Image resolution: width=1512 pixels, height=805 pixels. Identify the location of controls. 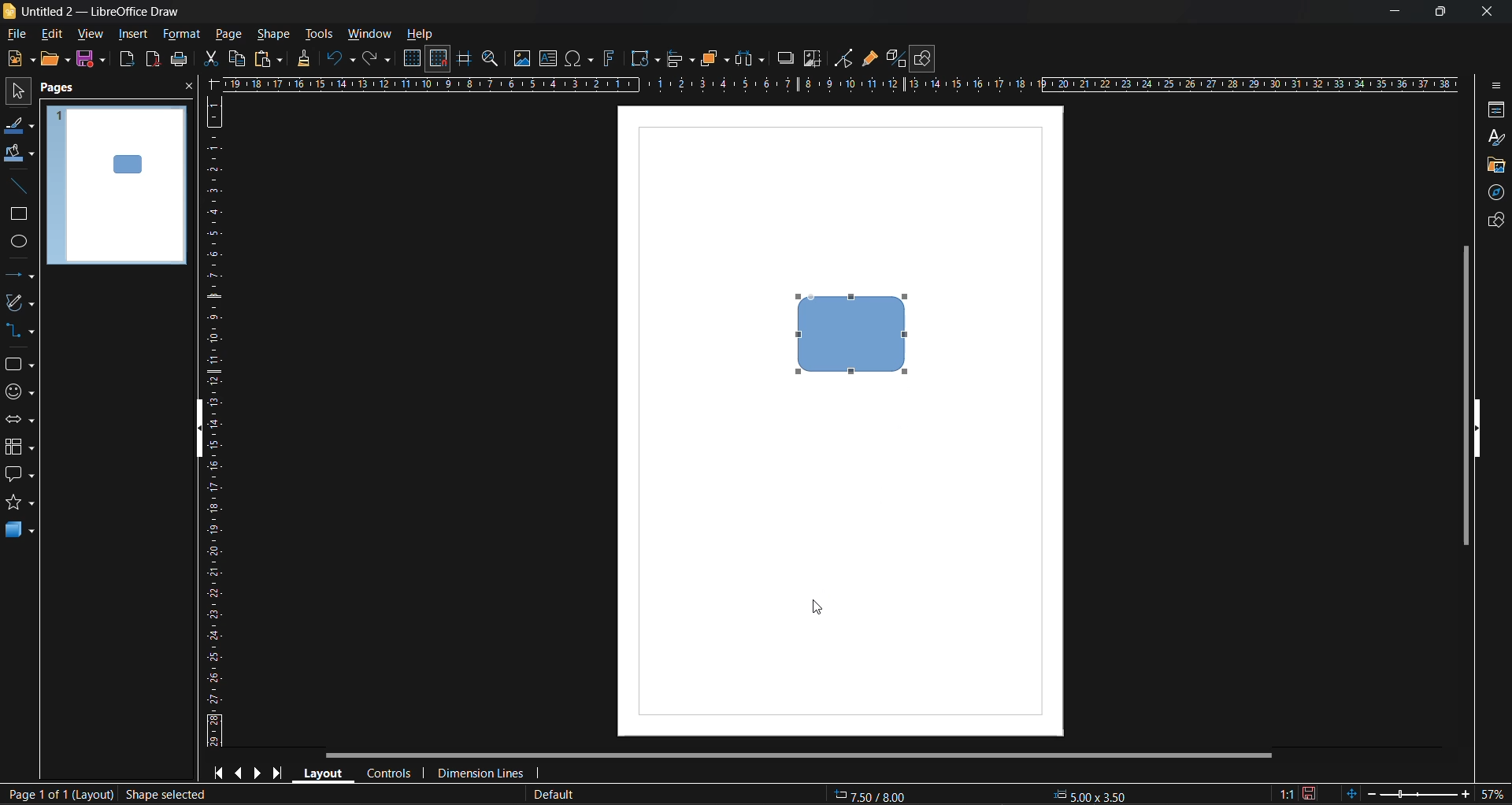
(387, 775).